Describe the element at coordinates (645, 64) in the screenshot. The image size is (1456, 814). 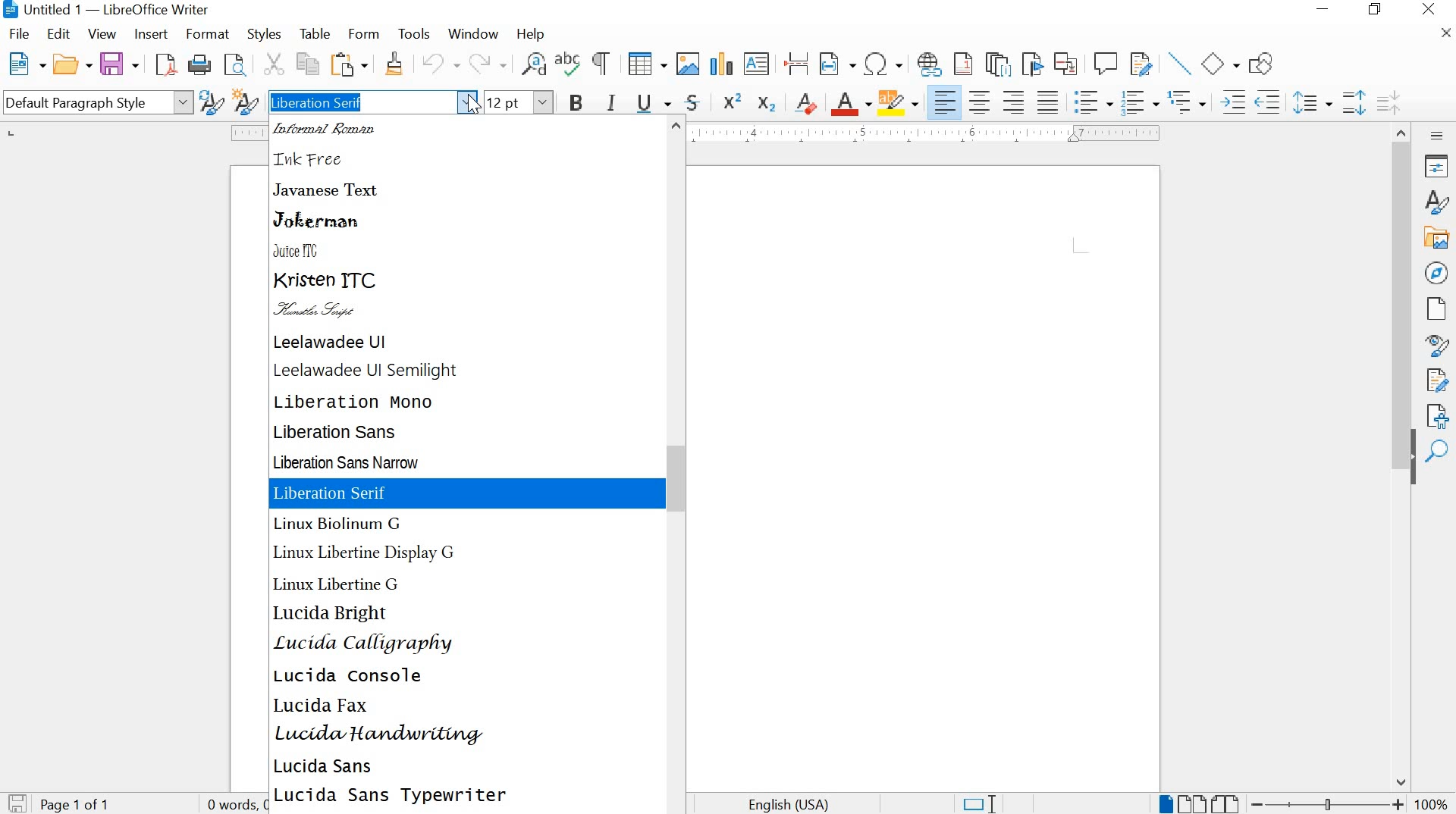
I see `INSERT TABLE` at that location.